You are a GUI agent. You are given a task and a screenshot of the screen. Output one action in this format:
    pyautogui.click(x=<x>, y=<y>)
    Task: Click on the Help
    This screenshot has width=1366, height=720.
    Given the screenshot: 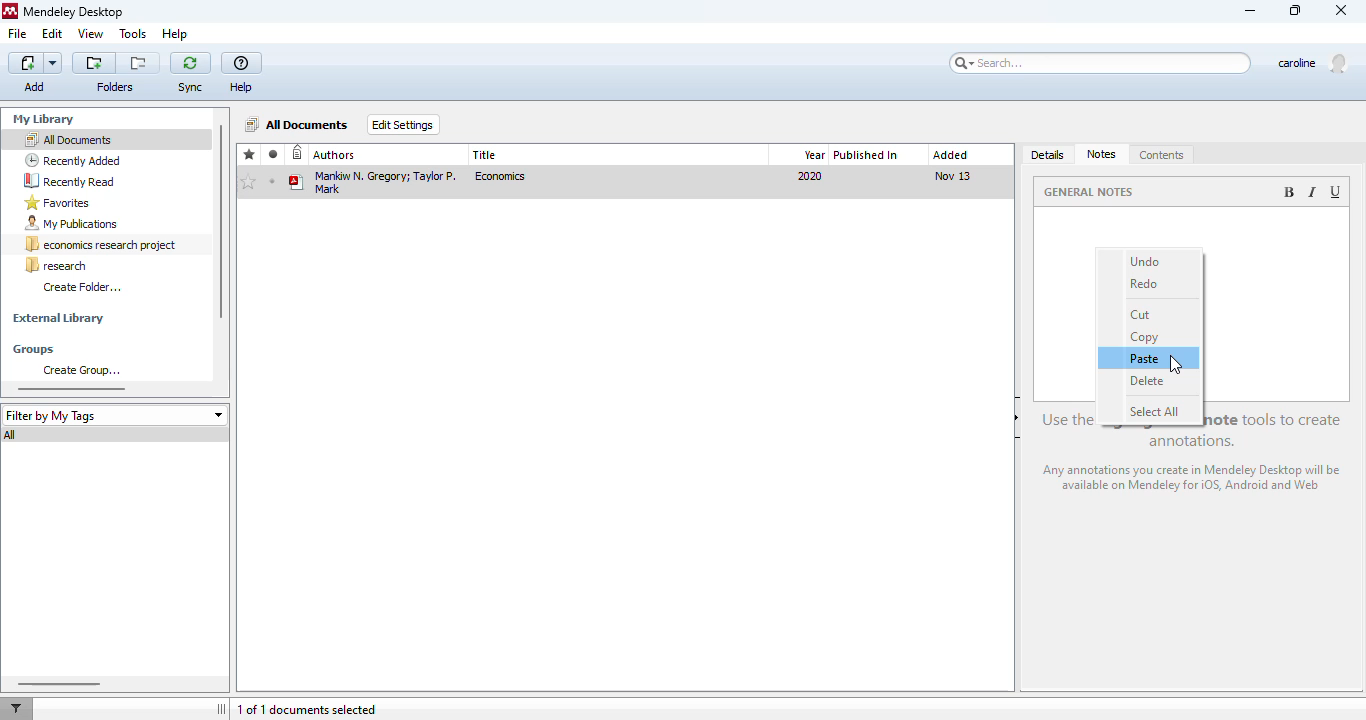 What is the action you would take?
    pyautogui.click(x=245, y=87)
    